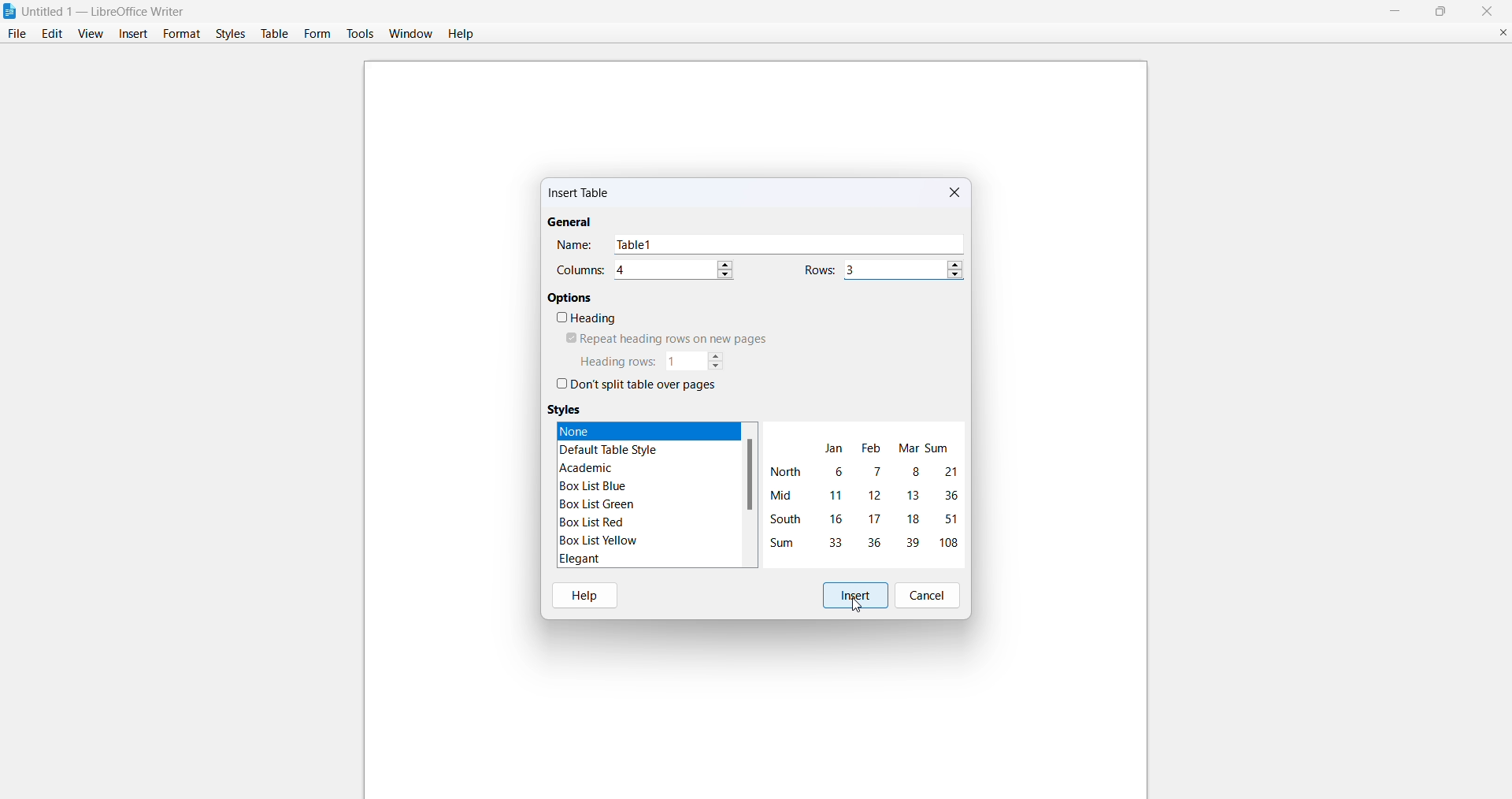  Describe the element at coordinates (361, 33) in the screenshot. I see `tools` at that location.